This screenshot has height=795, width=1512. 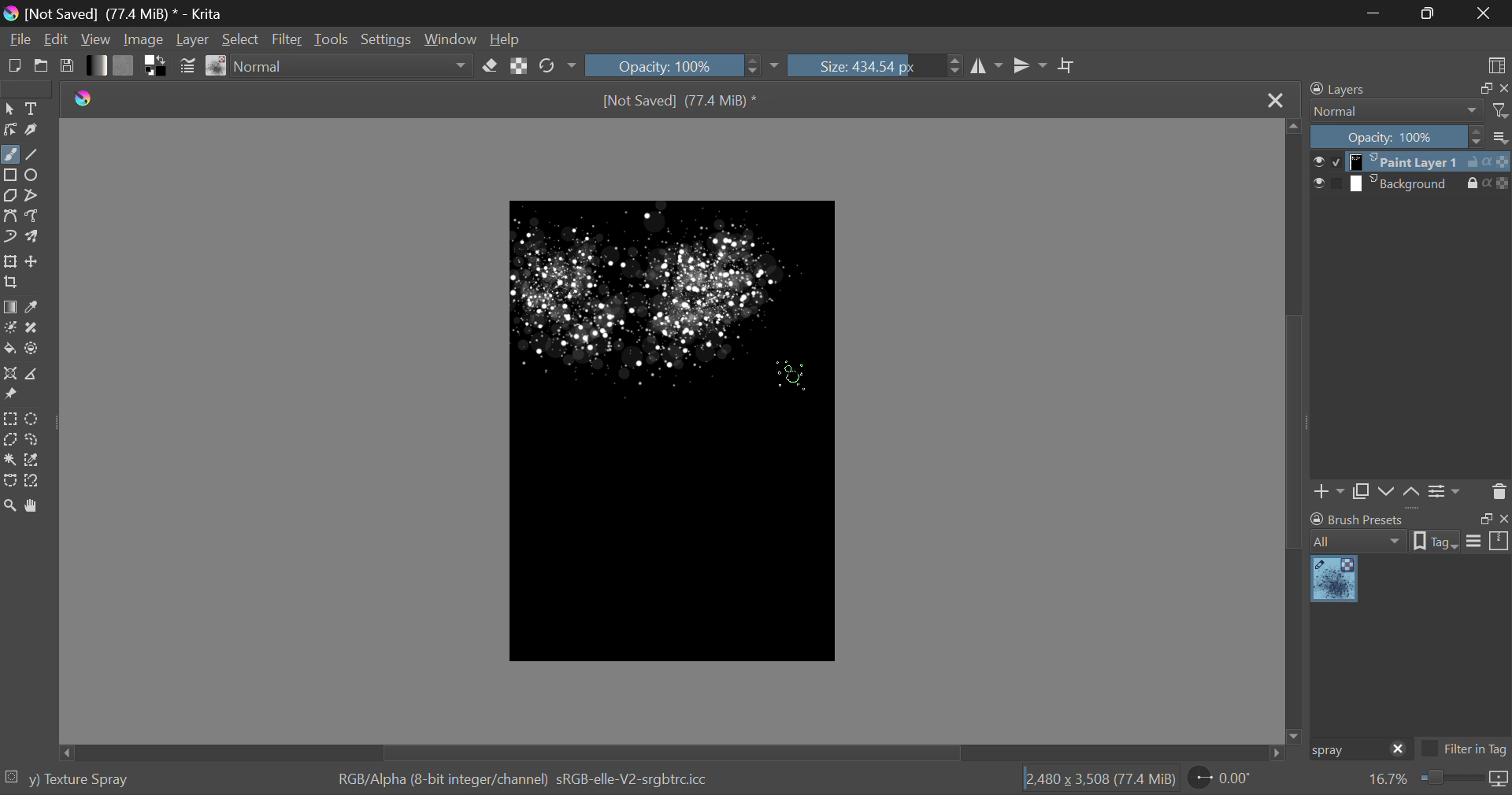 I want to click on Colorize Mask Tool, so click(x=10, y=329).